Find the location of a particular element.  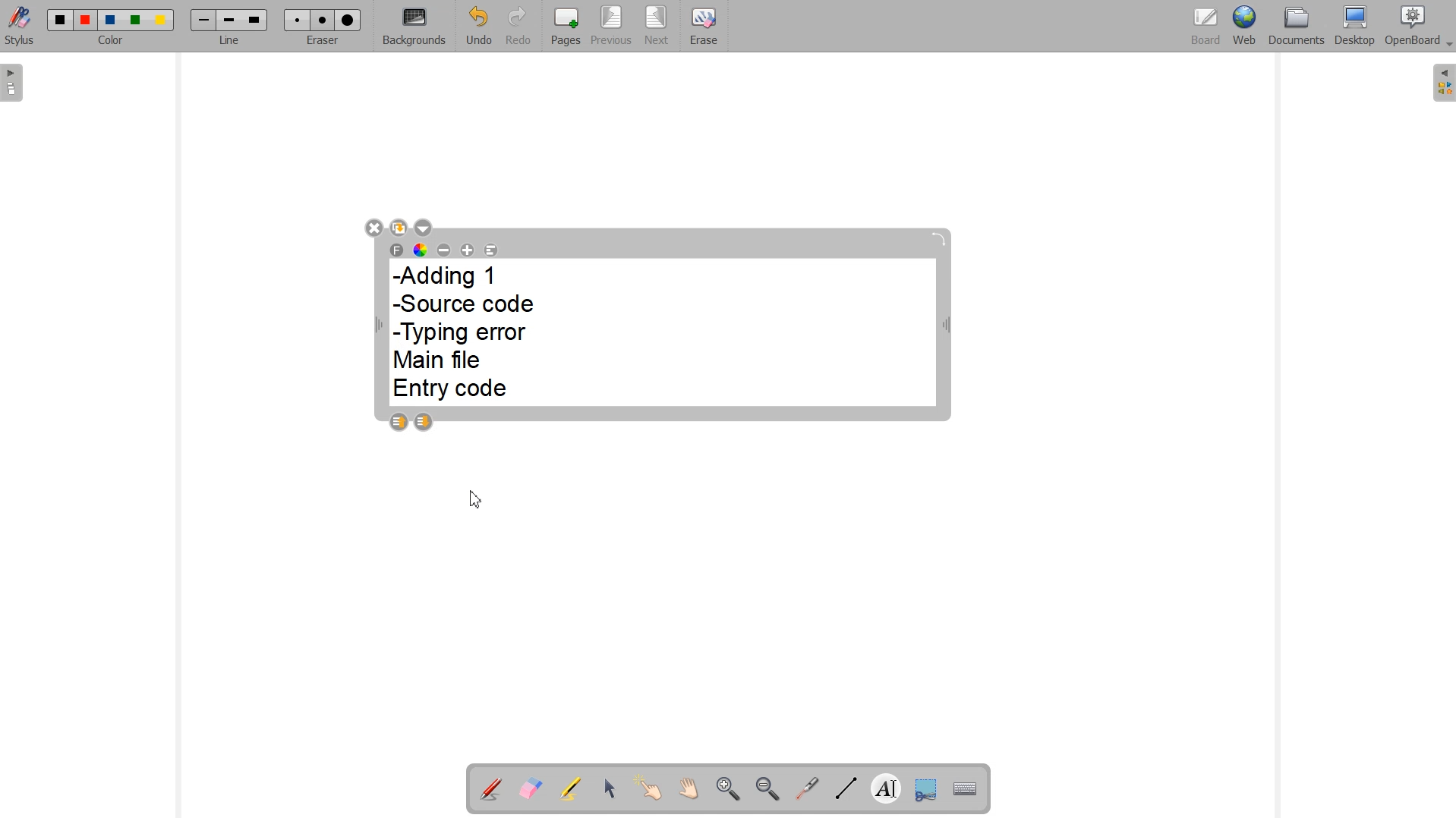

Undo is located at coordinates (477, 26).